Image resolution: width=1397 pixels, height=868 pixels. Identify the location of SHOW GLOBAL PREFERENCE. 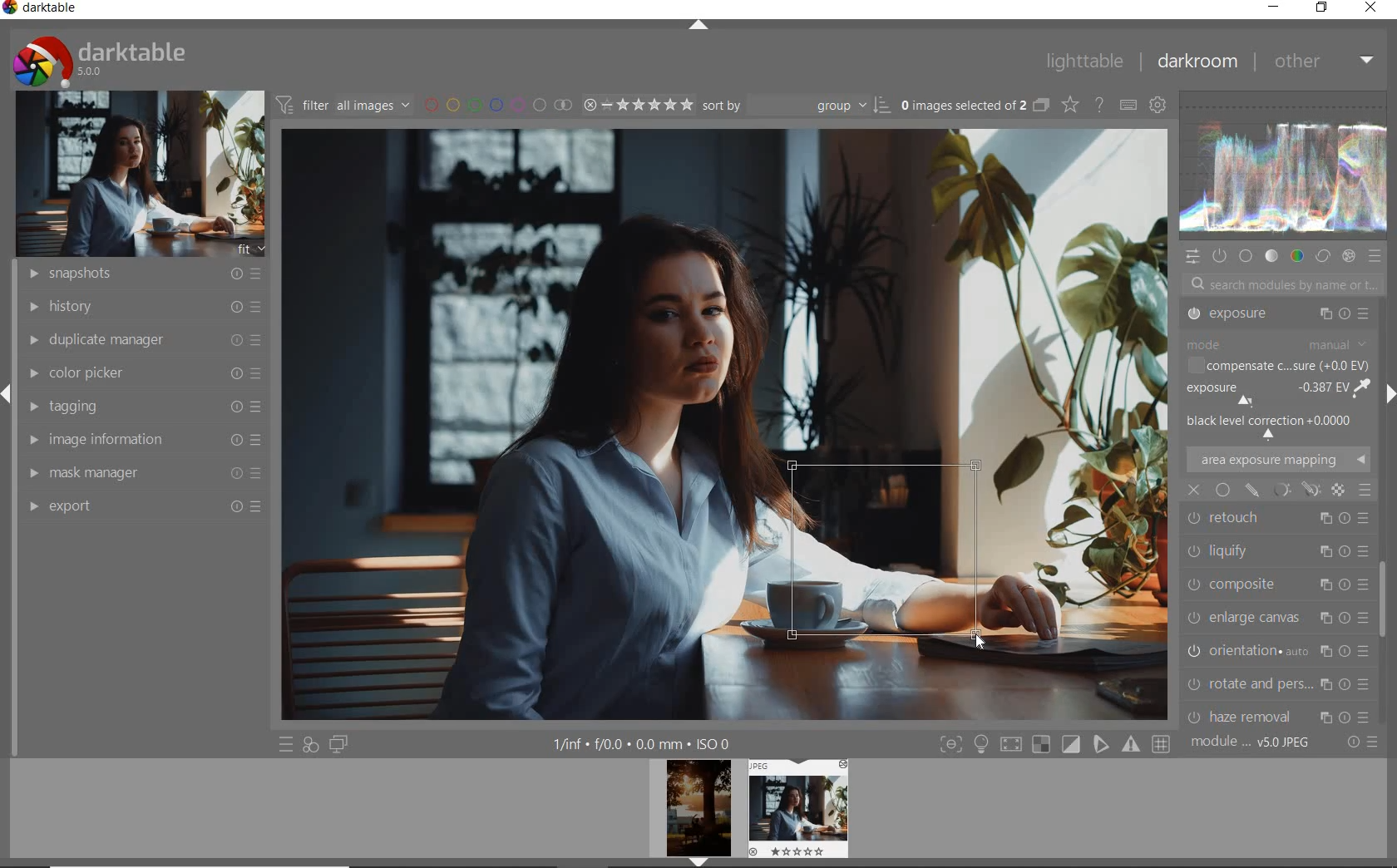
(1159, 105).